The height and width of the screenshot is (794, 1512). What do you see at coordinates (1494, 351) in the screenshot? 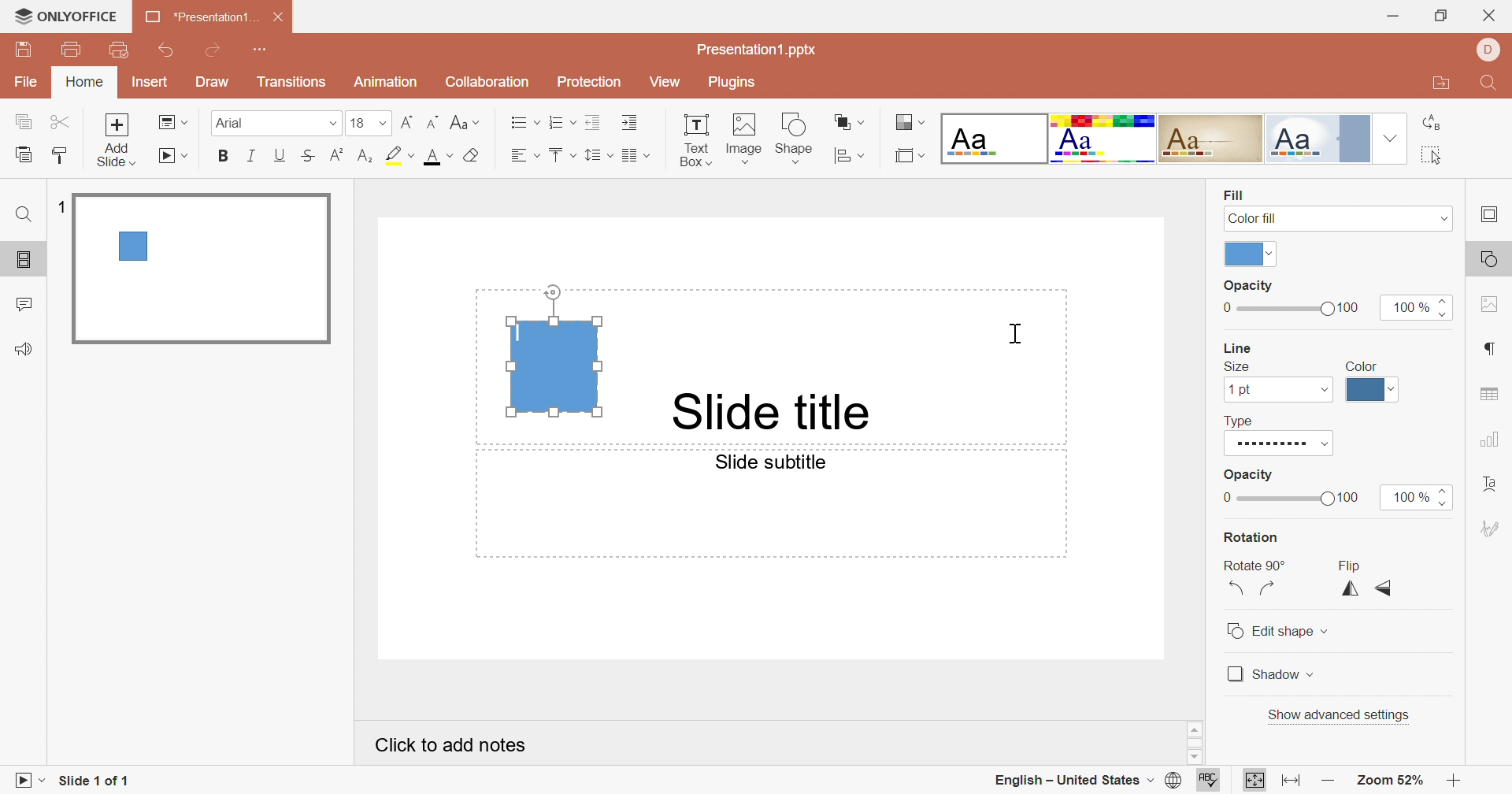
I see `Paragraph settings` at bounding box center [1494, 351].